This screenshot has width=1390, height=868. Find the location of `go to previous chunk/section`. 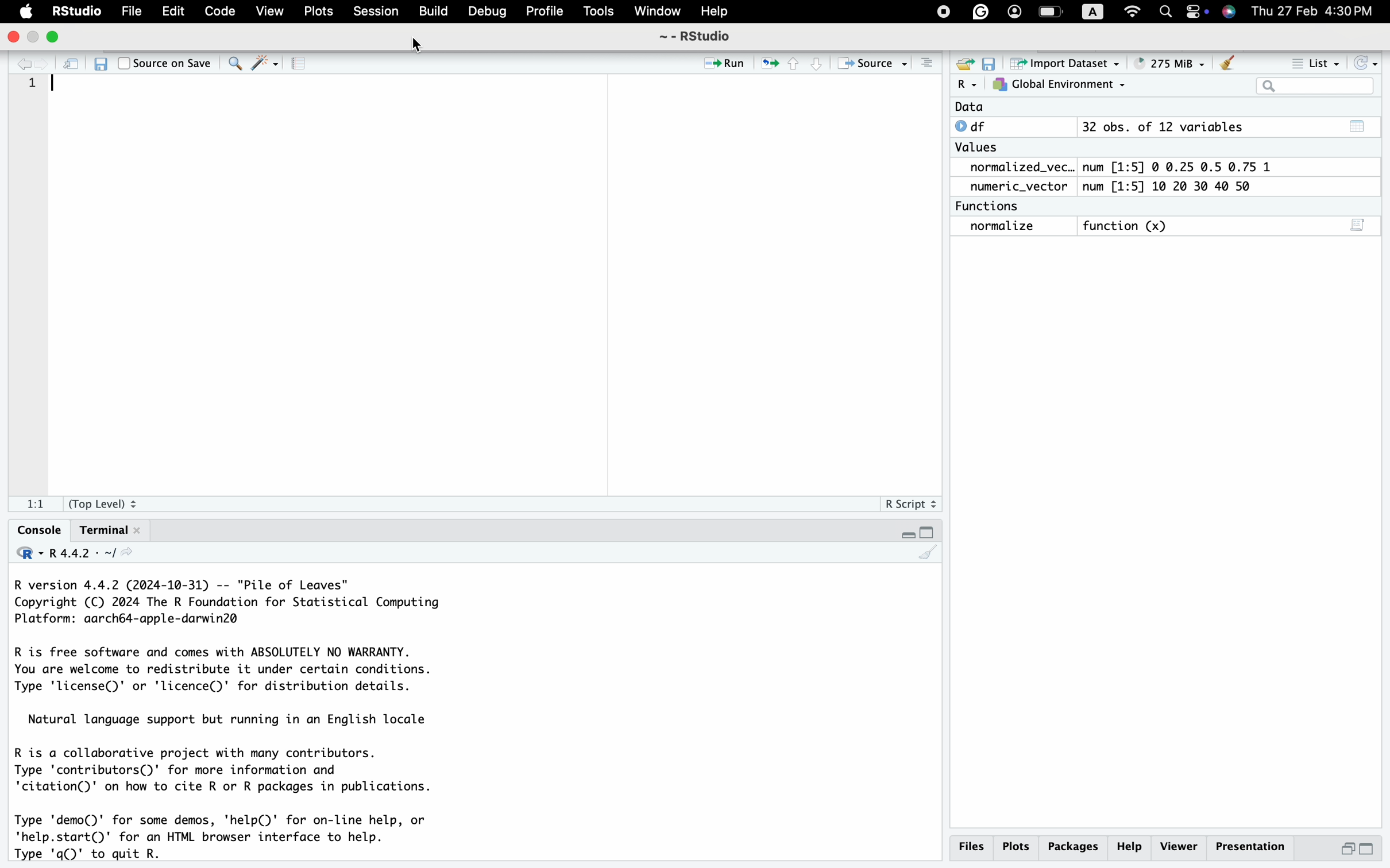

go to previous chunk/section is located at coordinates (794, 66).